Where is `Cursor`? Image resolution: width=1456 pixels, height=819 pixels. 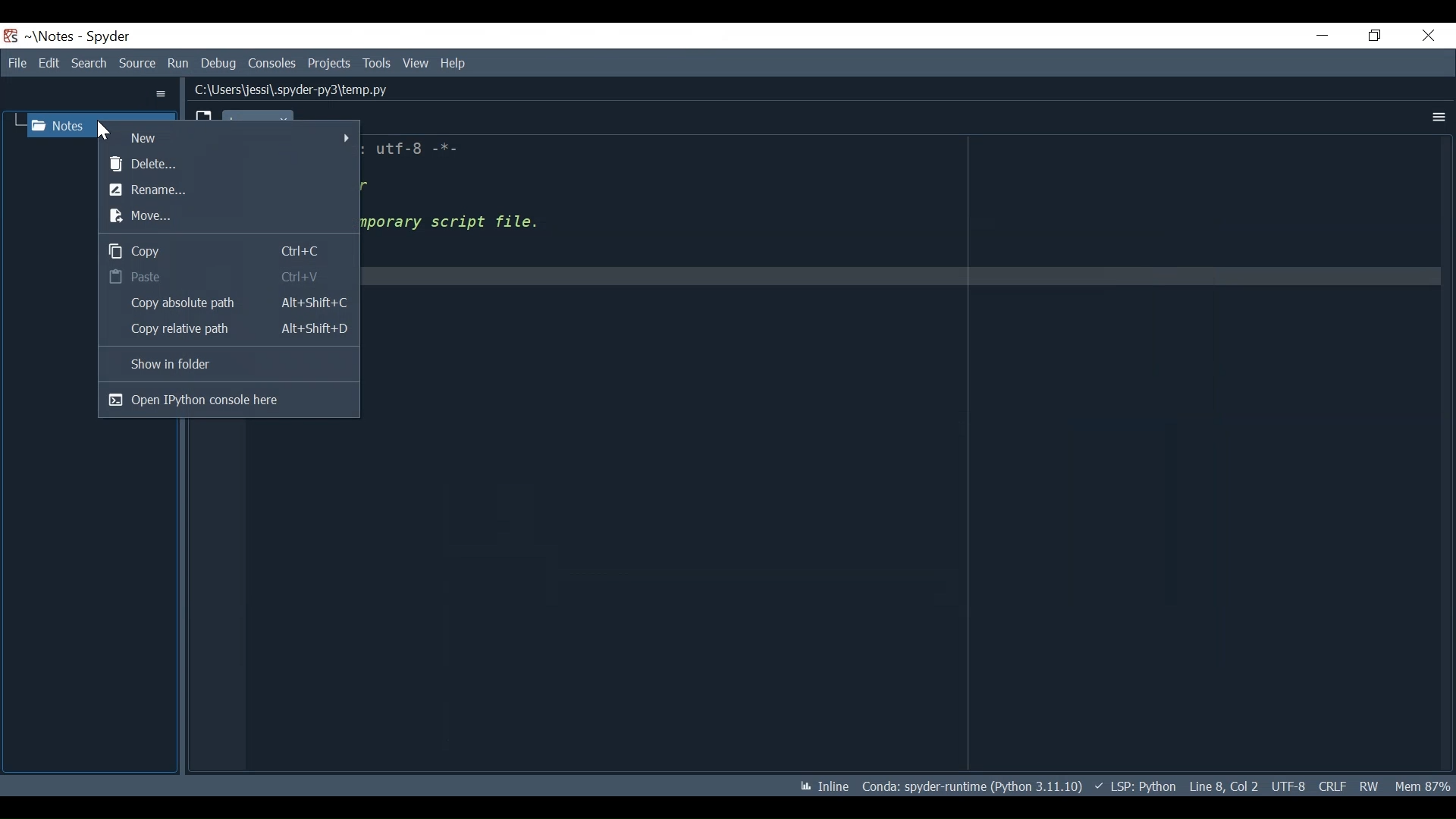 Cursor is located at coordinates (103, 129).